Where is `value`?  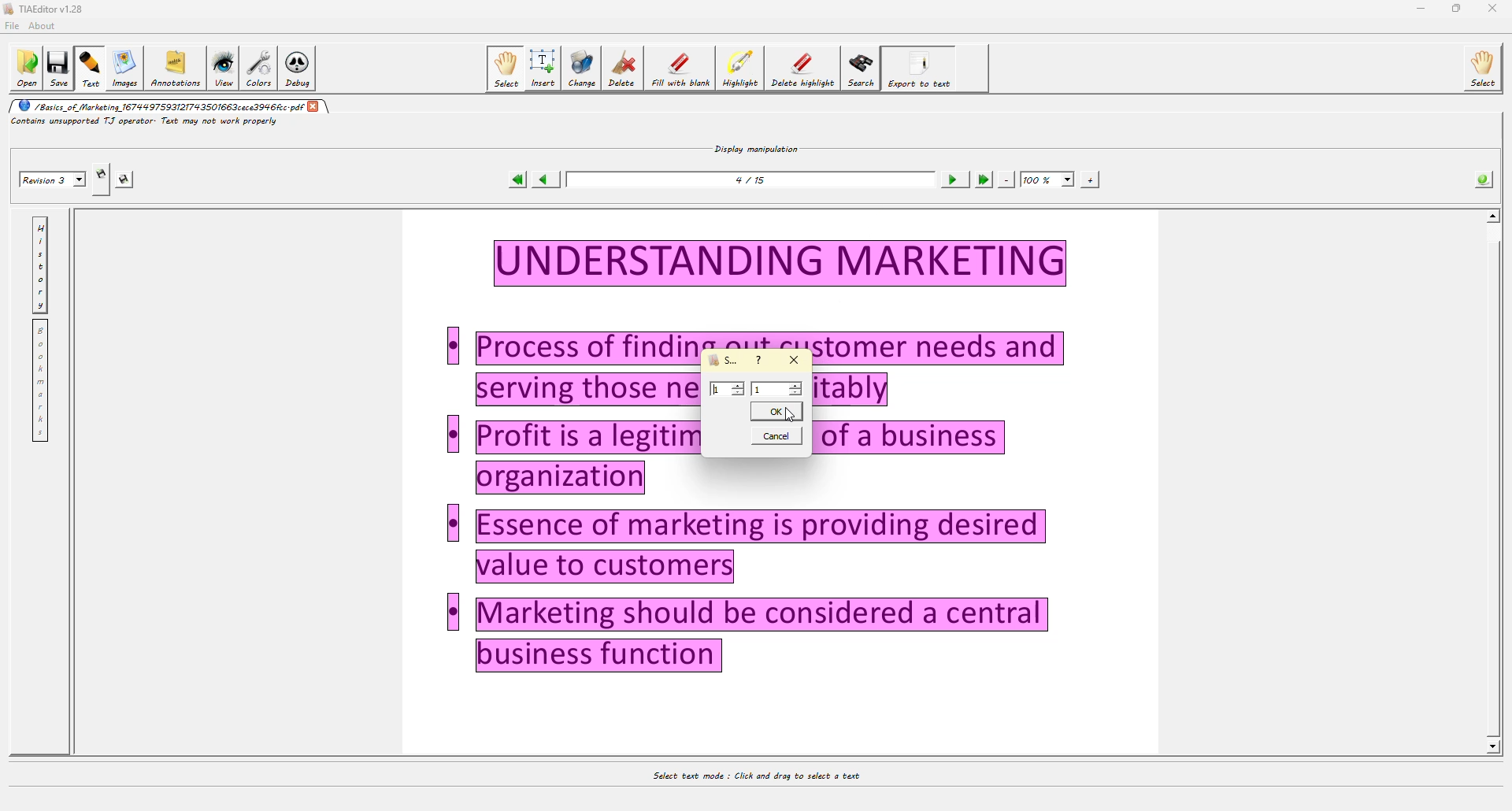 value is located at coordinates (728, 390).